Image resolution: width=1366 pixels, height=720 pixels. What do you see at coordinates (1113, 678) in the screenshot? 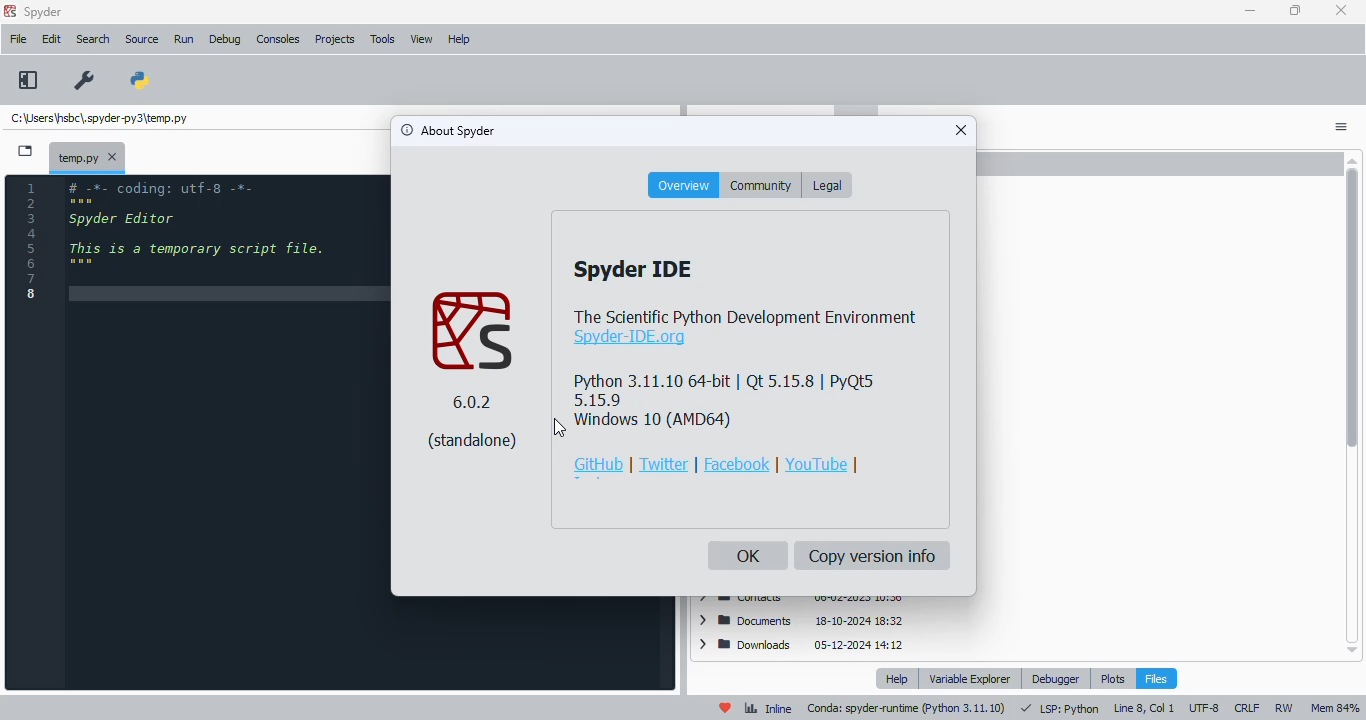
I see `plots` at bounding box center [1113, 678].